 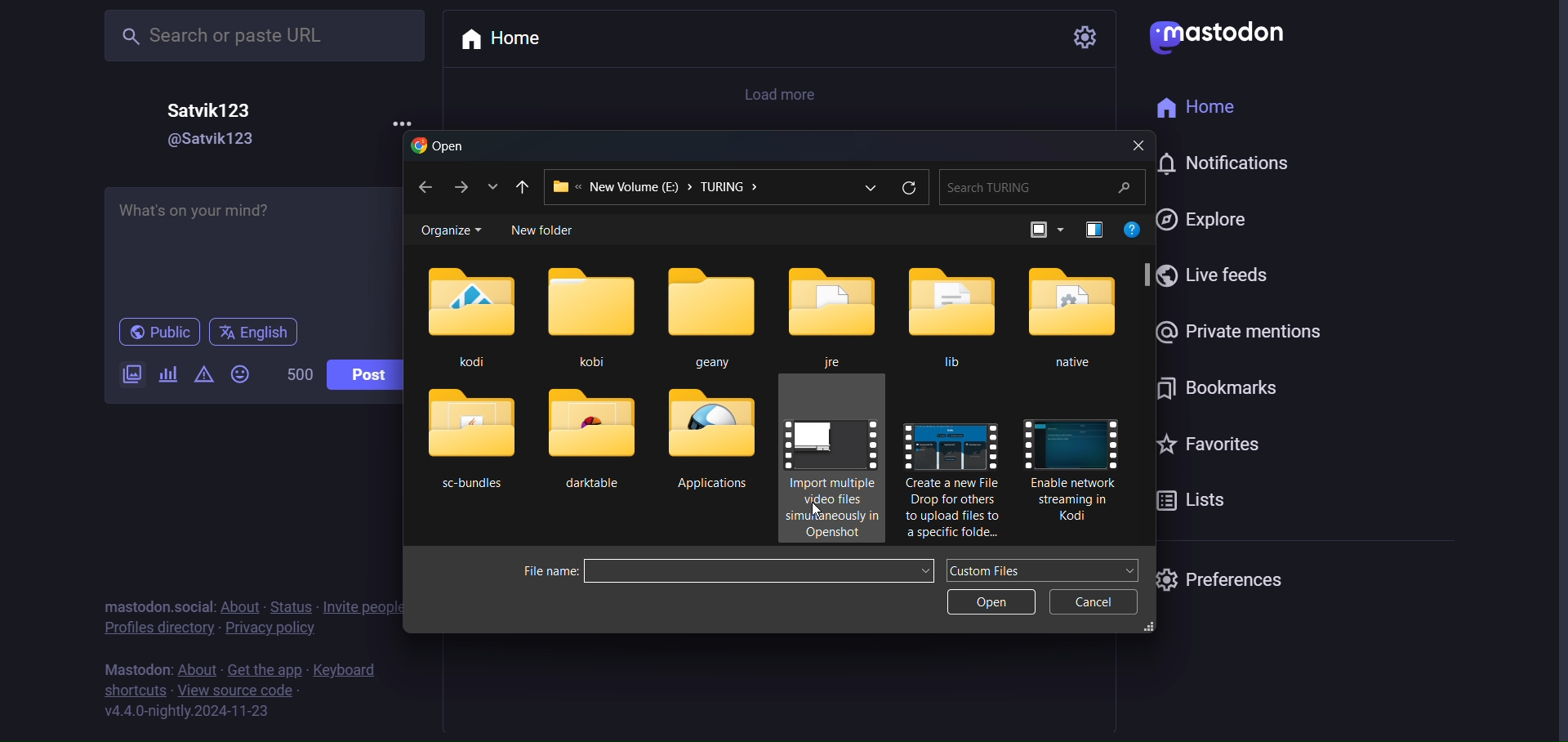 What do you see at coordinates (1075, 472) in the screenshot?
I see `Enable network
streaming in
Kodi` at bounding box center [1075, 472].